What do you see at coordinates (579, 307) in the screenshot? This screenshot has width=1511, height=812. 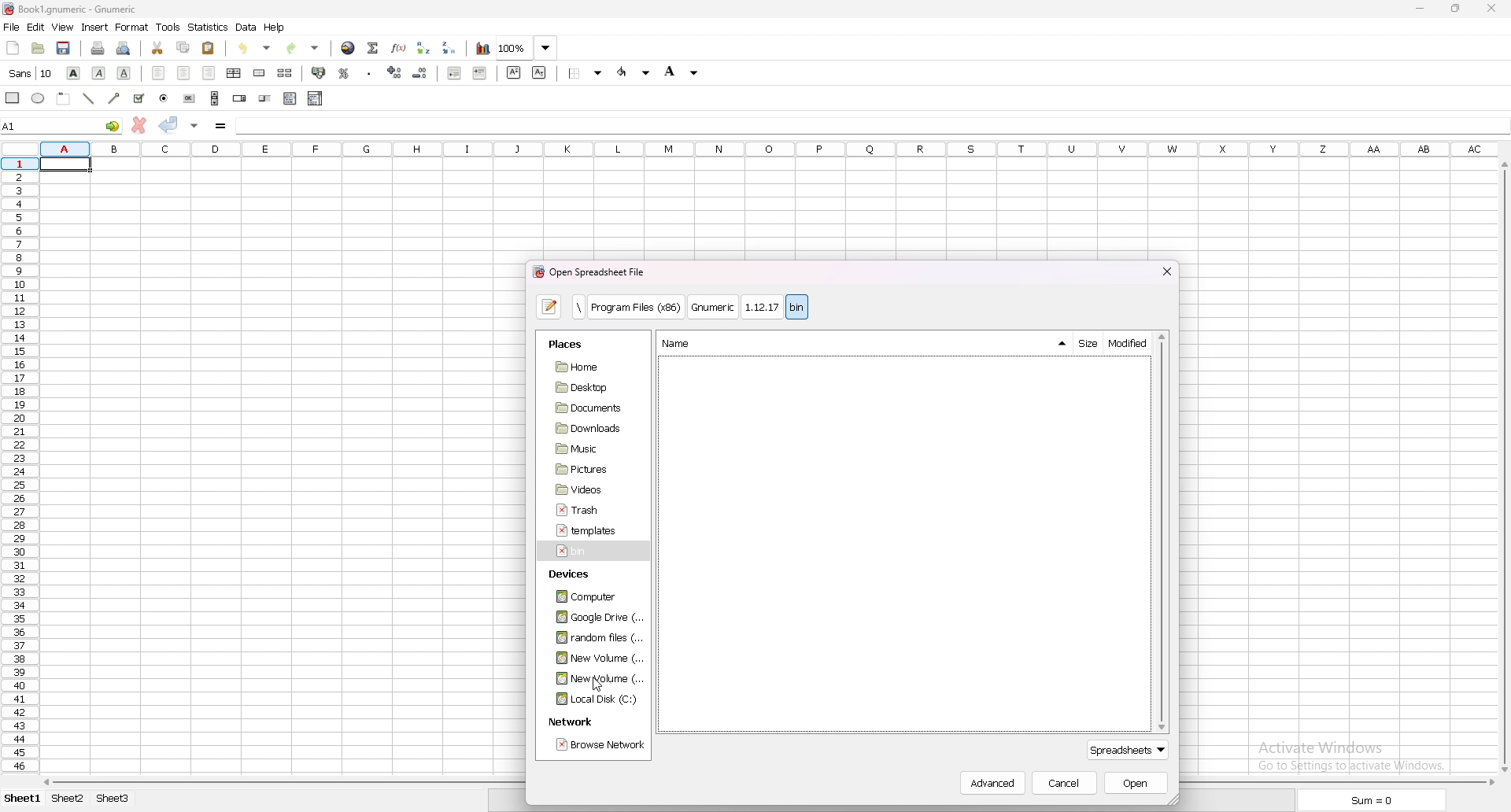 I see `location` at bounding box center [579, 307].